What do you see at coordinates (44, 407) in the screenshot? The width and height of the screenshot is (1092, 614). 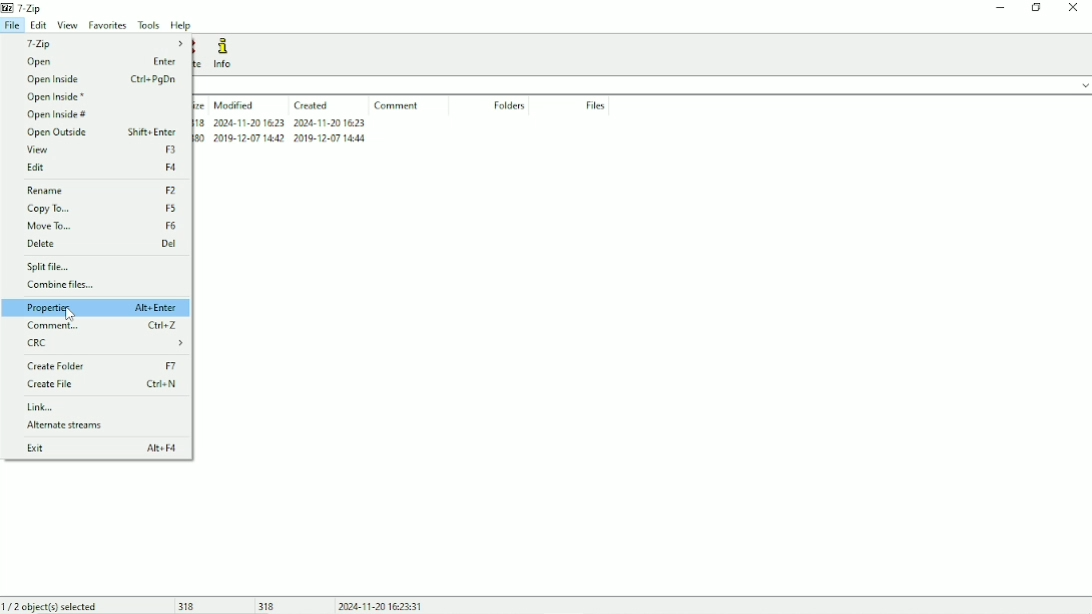 I see `Link` at bounding box center [44, 407].